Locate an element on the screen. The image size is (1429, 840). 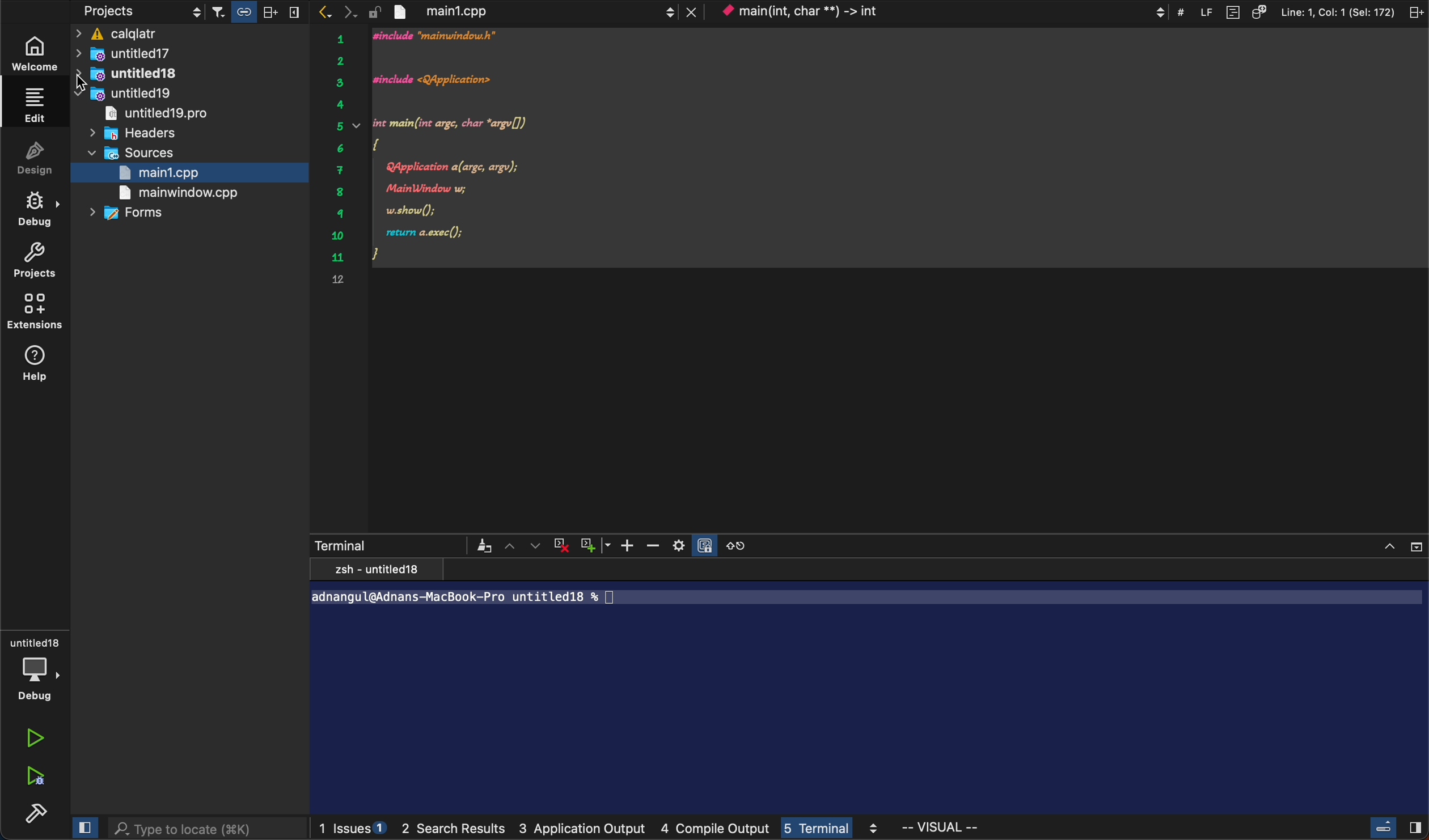
code is located at coordinates (878, 155).